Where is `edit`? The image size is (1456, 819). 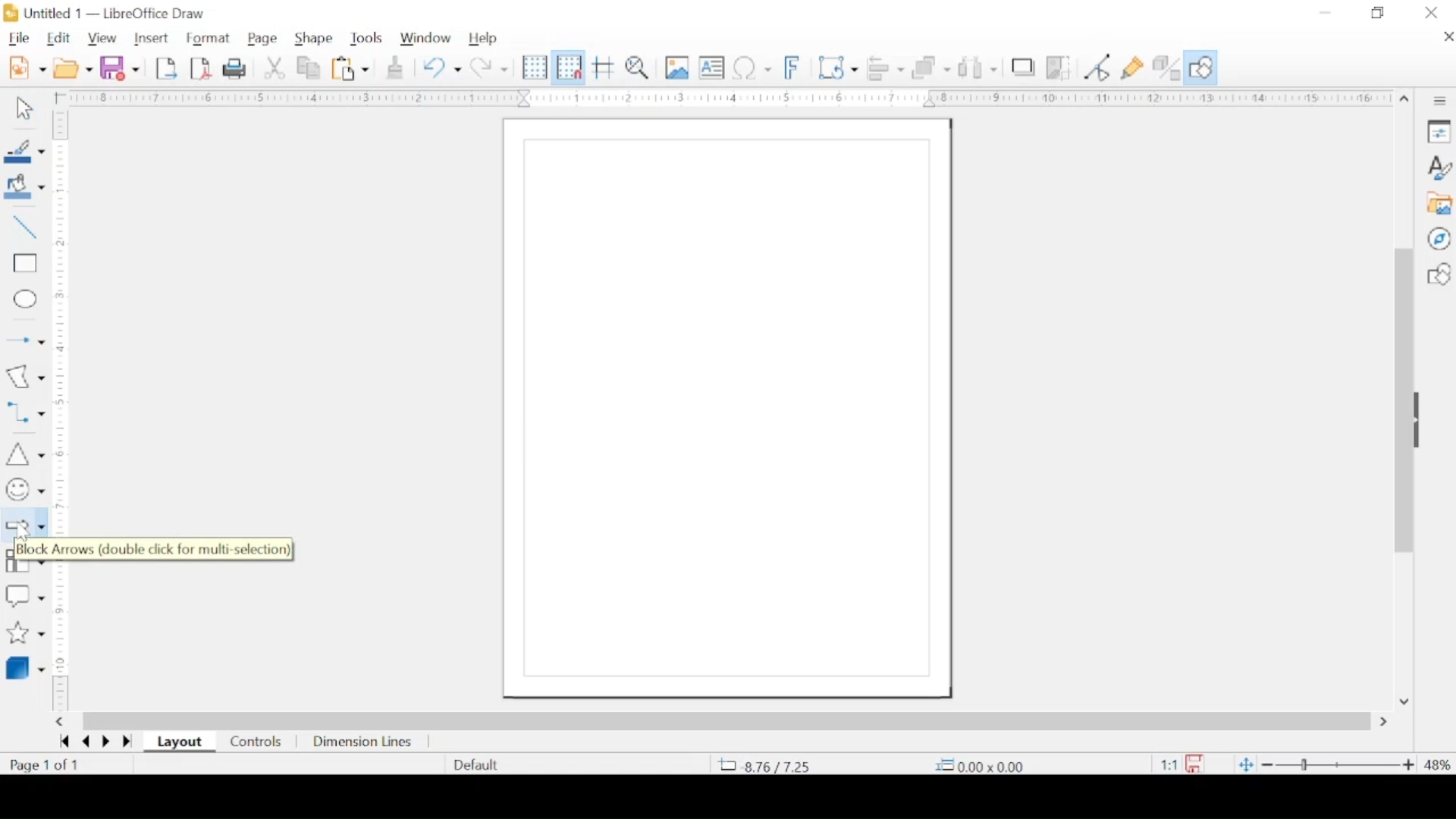
edit is located at coordinates (60, 39).